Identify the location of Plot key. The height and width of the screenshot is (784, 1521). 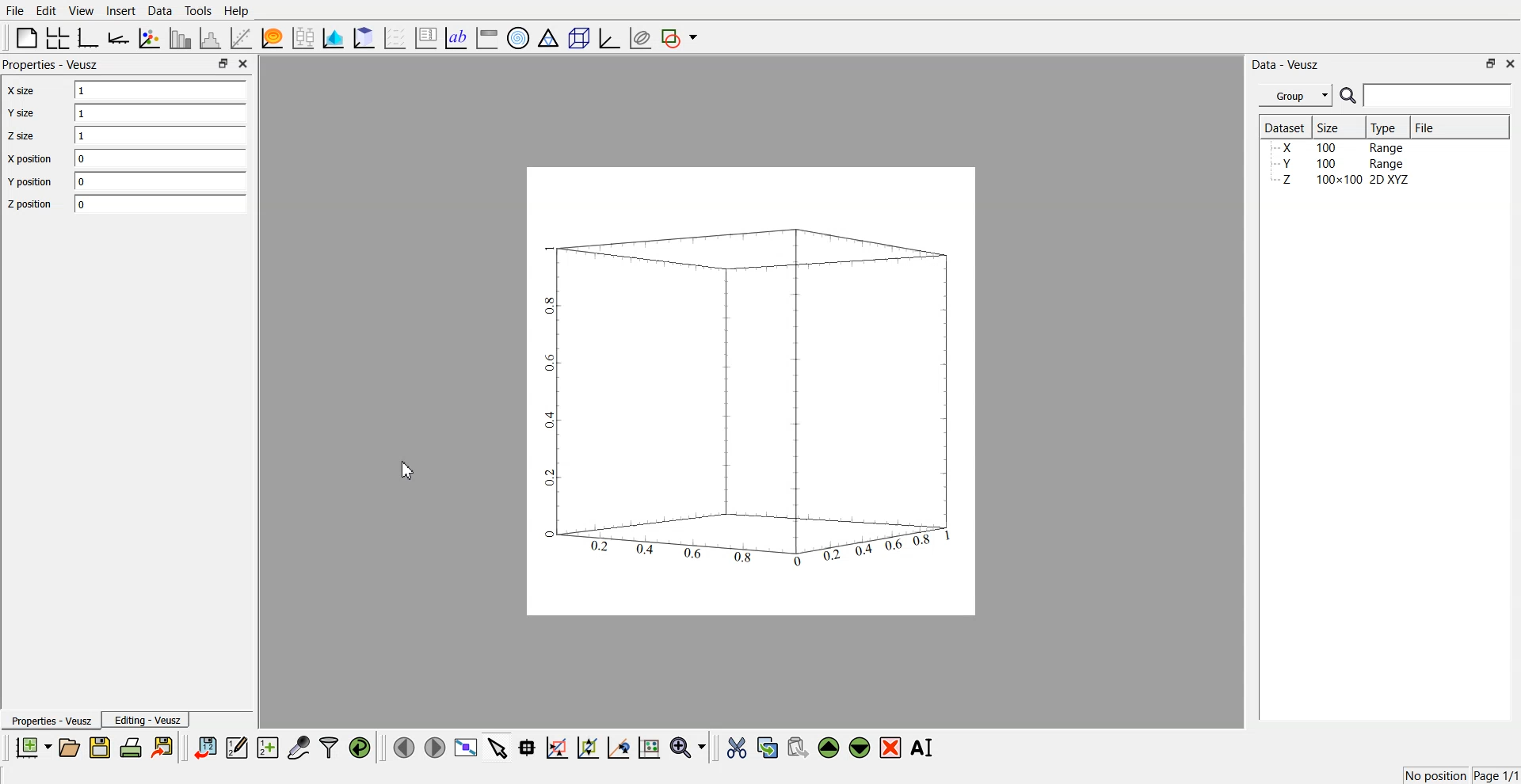
(425, 38).